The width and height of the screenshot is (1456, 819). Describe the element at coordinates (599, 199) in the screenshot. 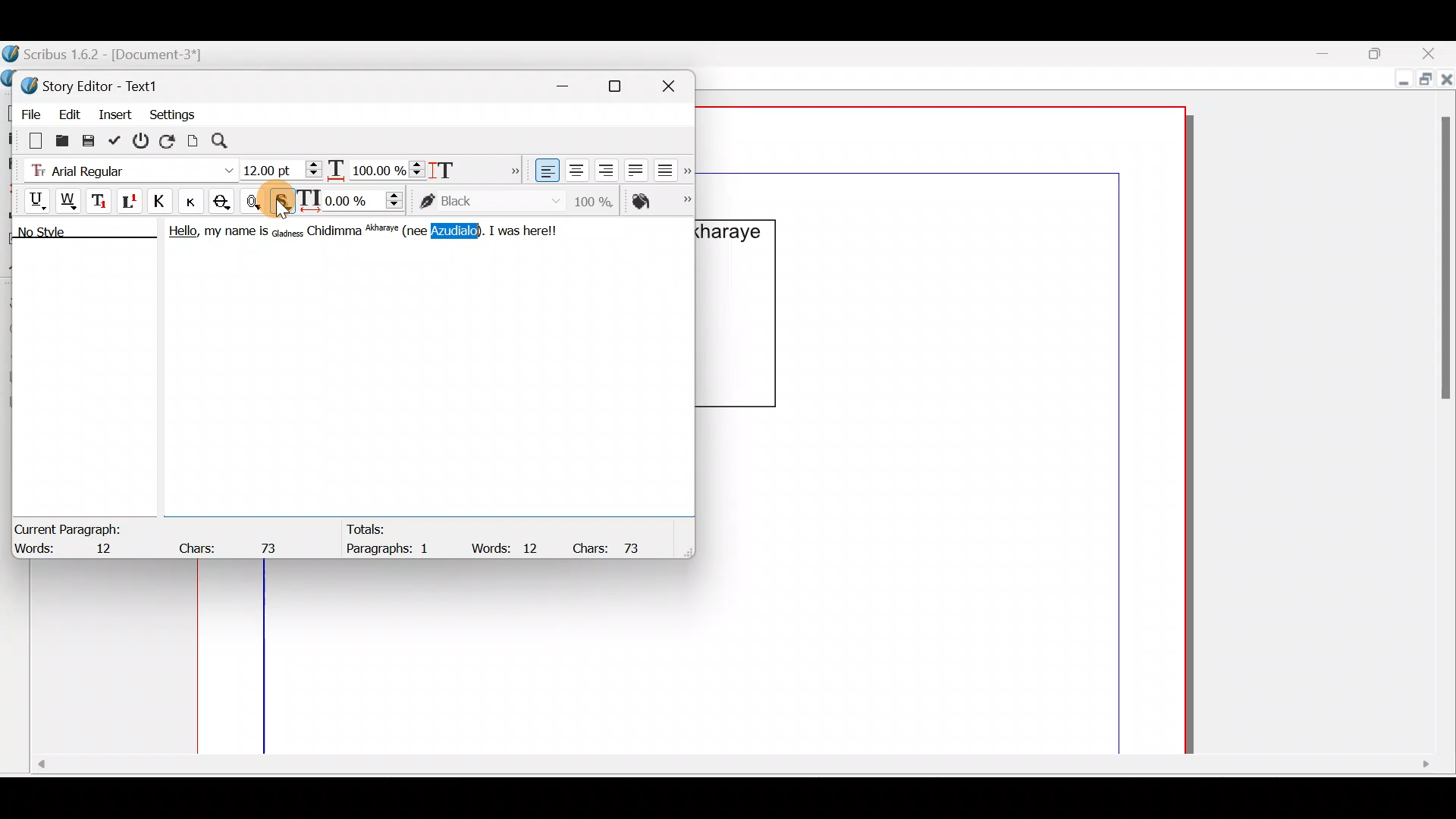

I see `Saturation of color of text stroke` at that location.